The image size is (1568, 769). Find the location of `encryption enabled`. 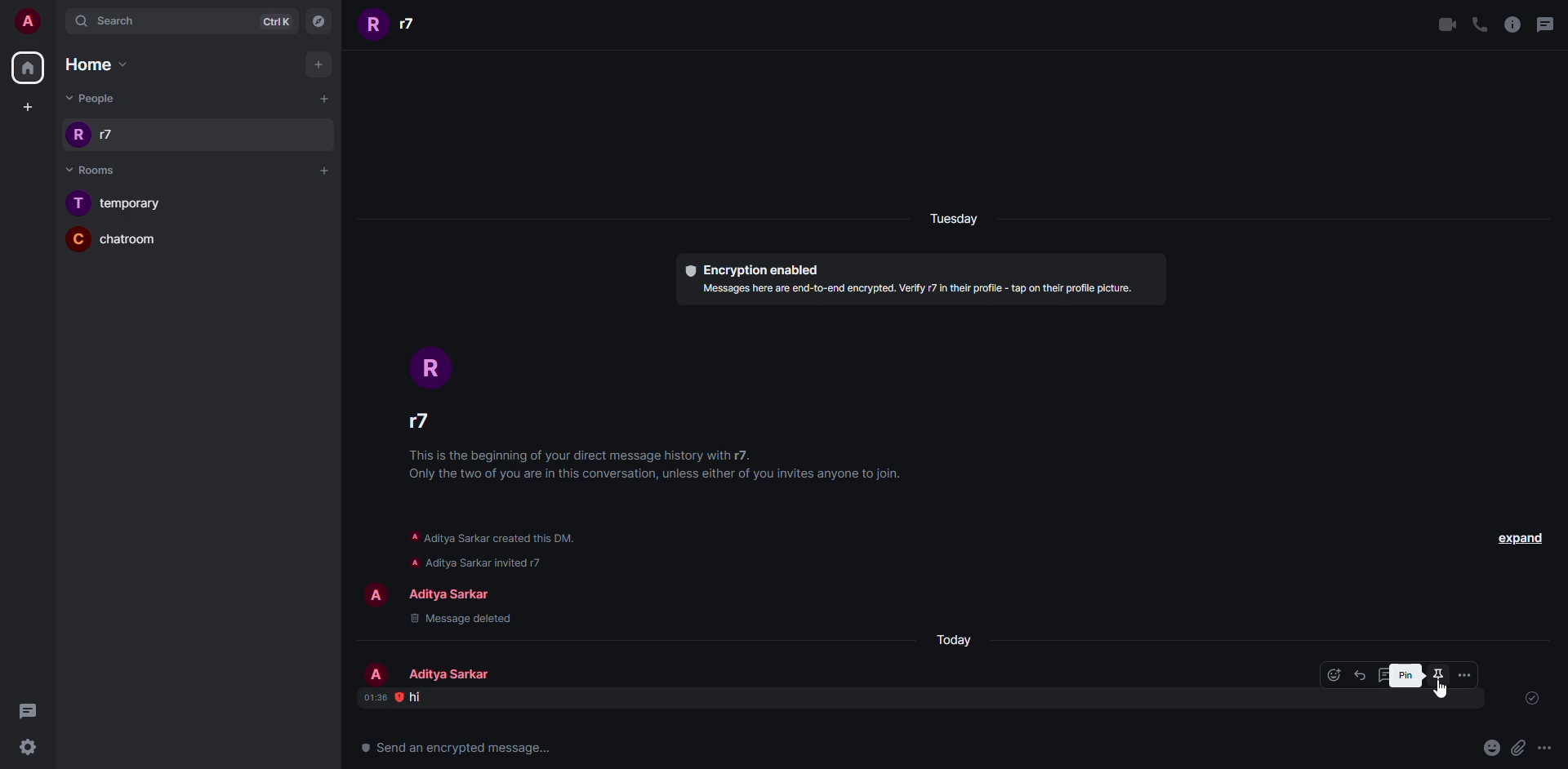

encryption enabled is located at coordinates (751, 269).